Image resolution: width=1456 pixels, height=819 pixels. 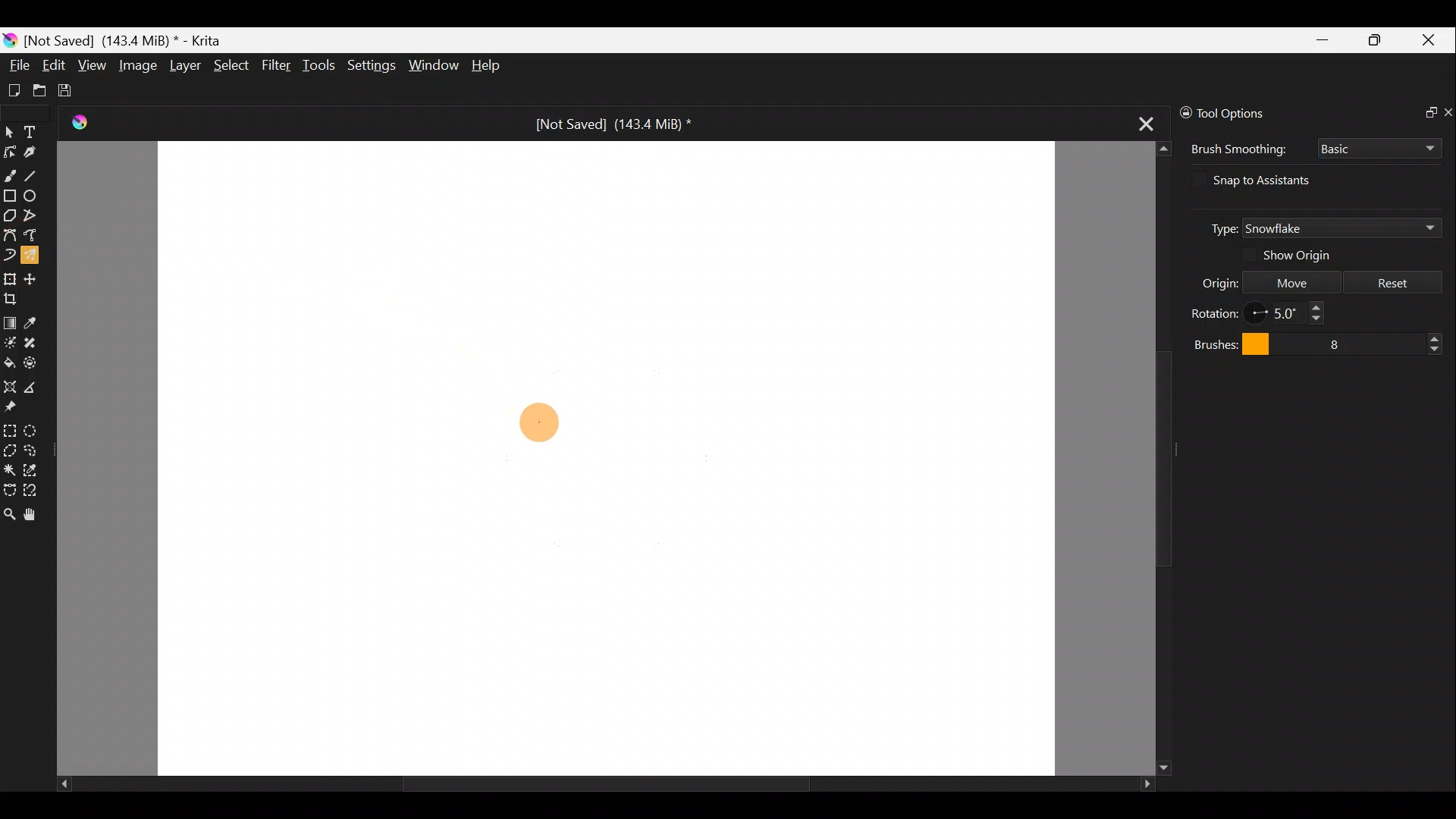 What do you see at coordinates (30, 216) in the screenshot?
I see `Polyline` at bounding box center [30, 216].